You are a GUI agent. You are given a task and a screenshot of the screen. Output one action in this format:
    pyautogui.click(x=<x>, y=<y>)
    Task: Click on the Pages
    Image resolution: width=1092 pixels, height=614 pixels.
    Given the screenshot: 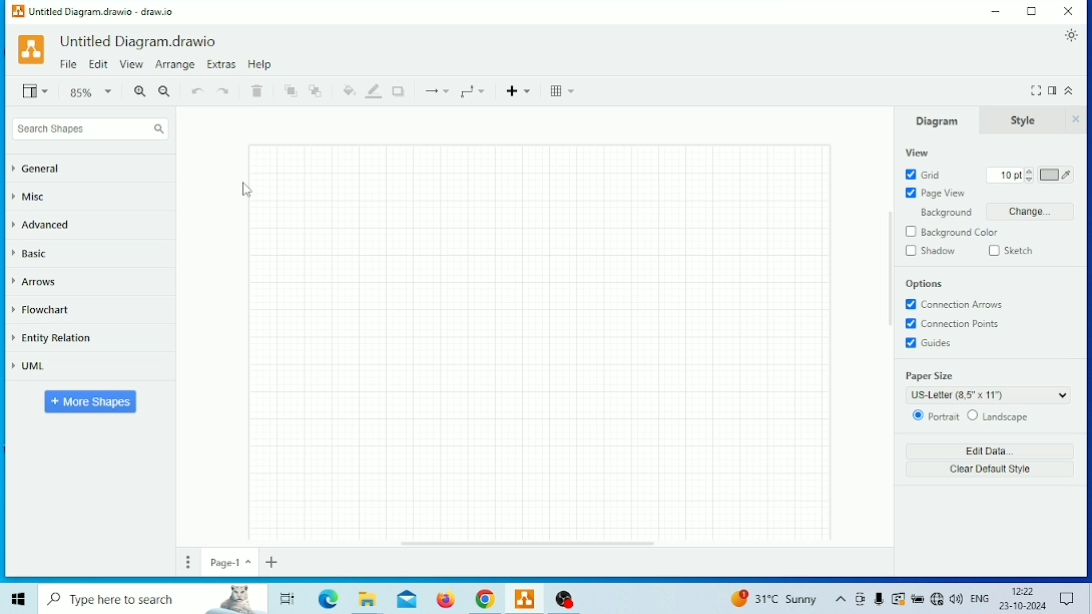 What is the action you would take?
    pyautogui.click(x=189, y=562)
    